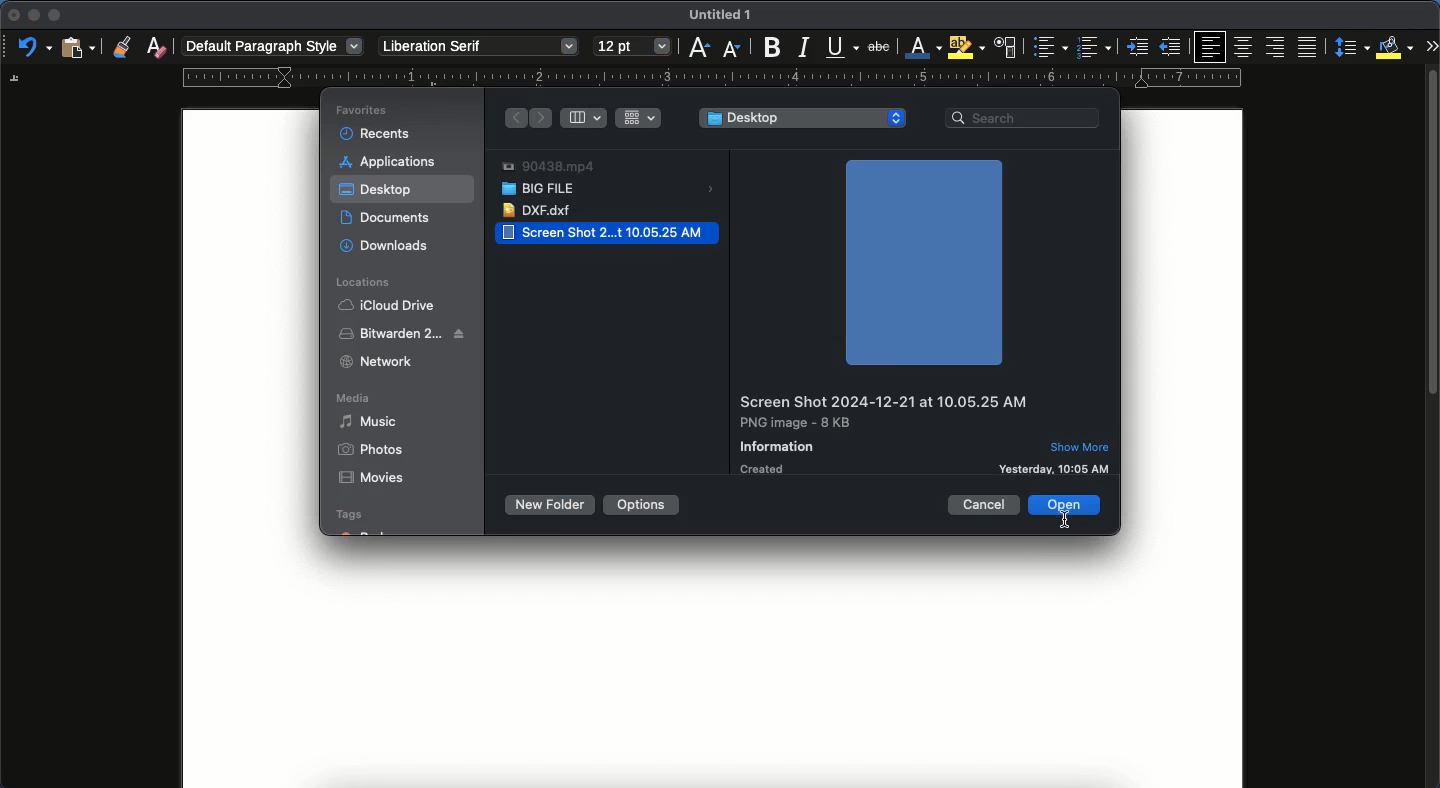 This screenshot has height=788, width=1440. What do you see at coordinates (376, 361) in the screenshot?
I see `network` at bounding box center [376, 361].